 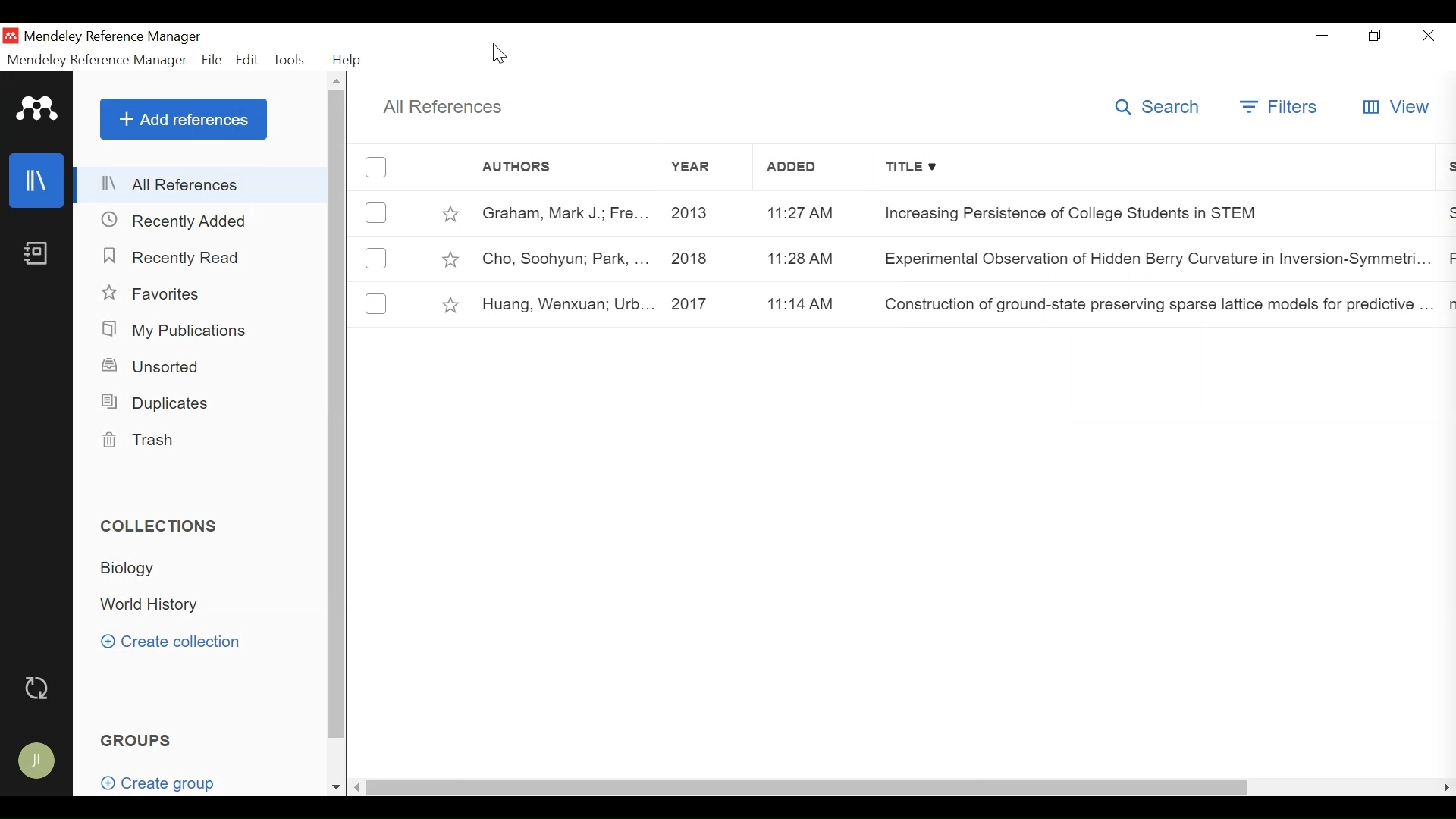 I want to click on Create group, so click(x=168, y=784).